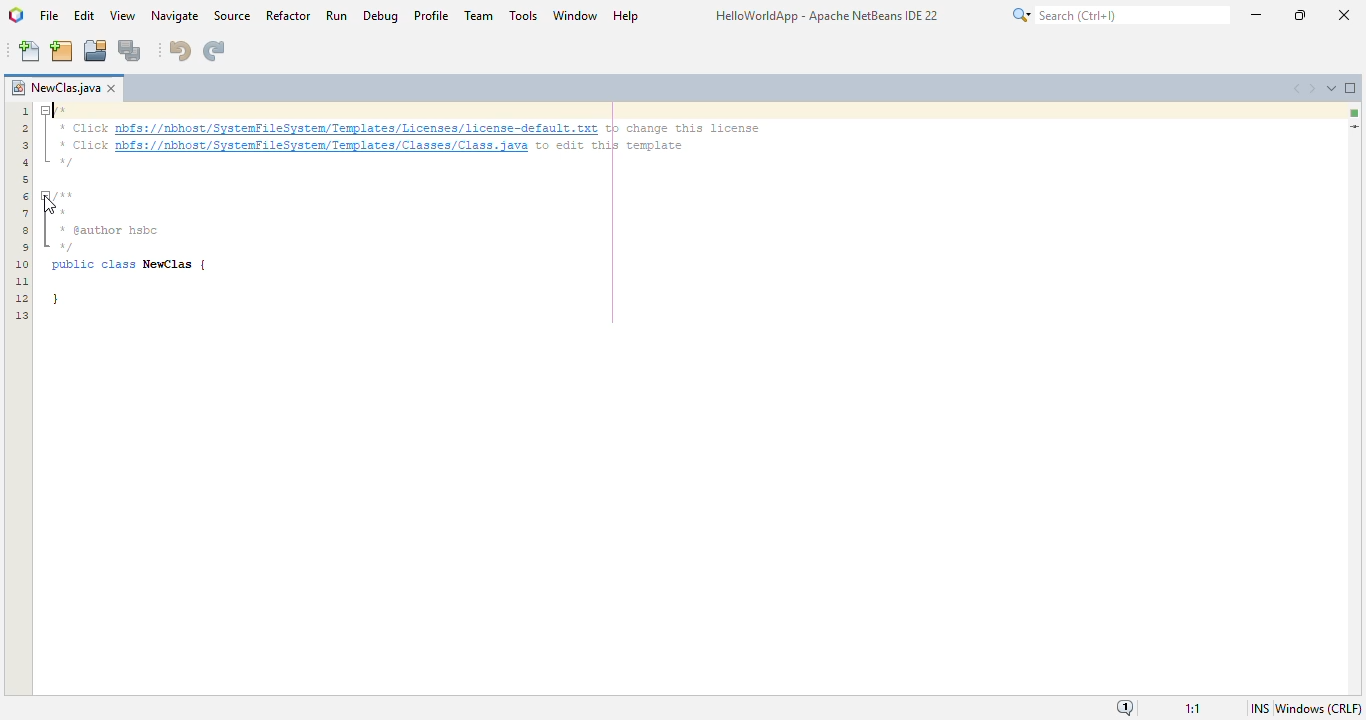 The width and height of the screenshot is (1366, 720). I want to click on logo, so click(16, 15).